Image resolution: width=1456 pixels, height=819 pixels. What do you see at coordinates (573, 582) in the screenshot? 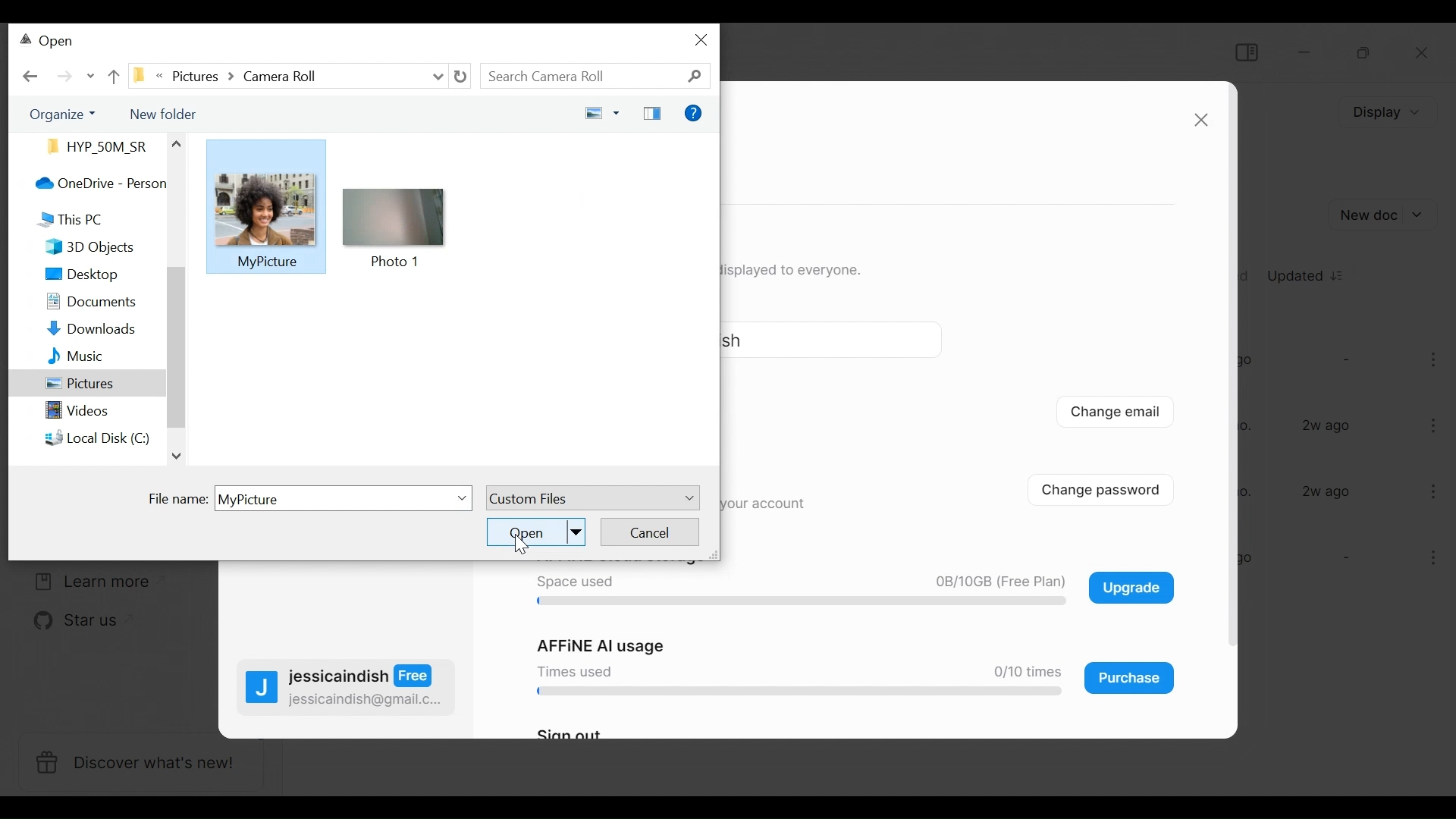
I see `Space used` at bounding box center [573, 582].